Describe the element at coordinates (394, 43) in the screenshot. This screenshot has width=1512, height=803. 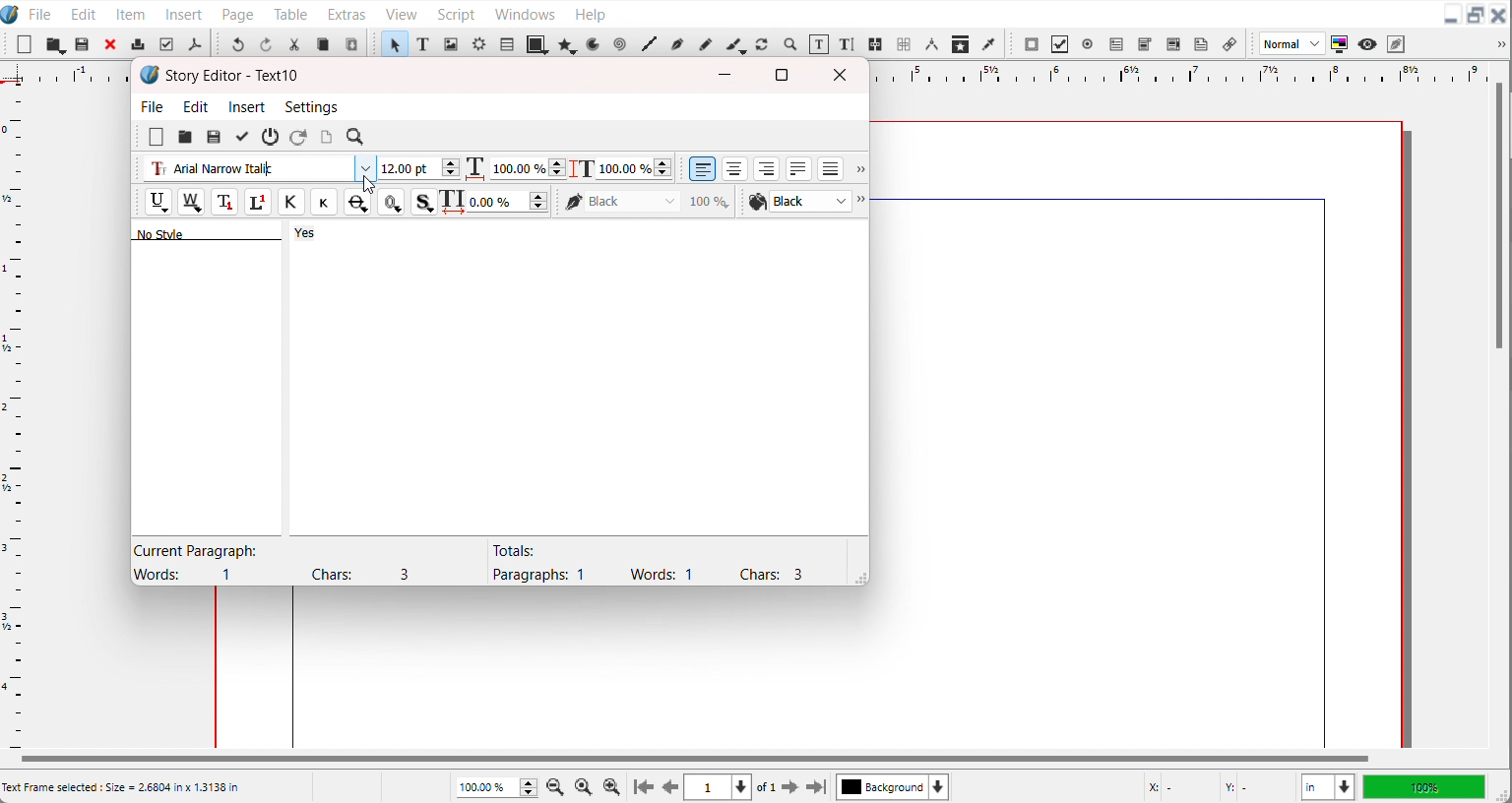
I see `Select item` at that location.